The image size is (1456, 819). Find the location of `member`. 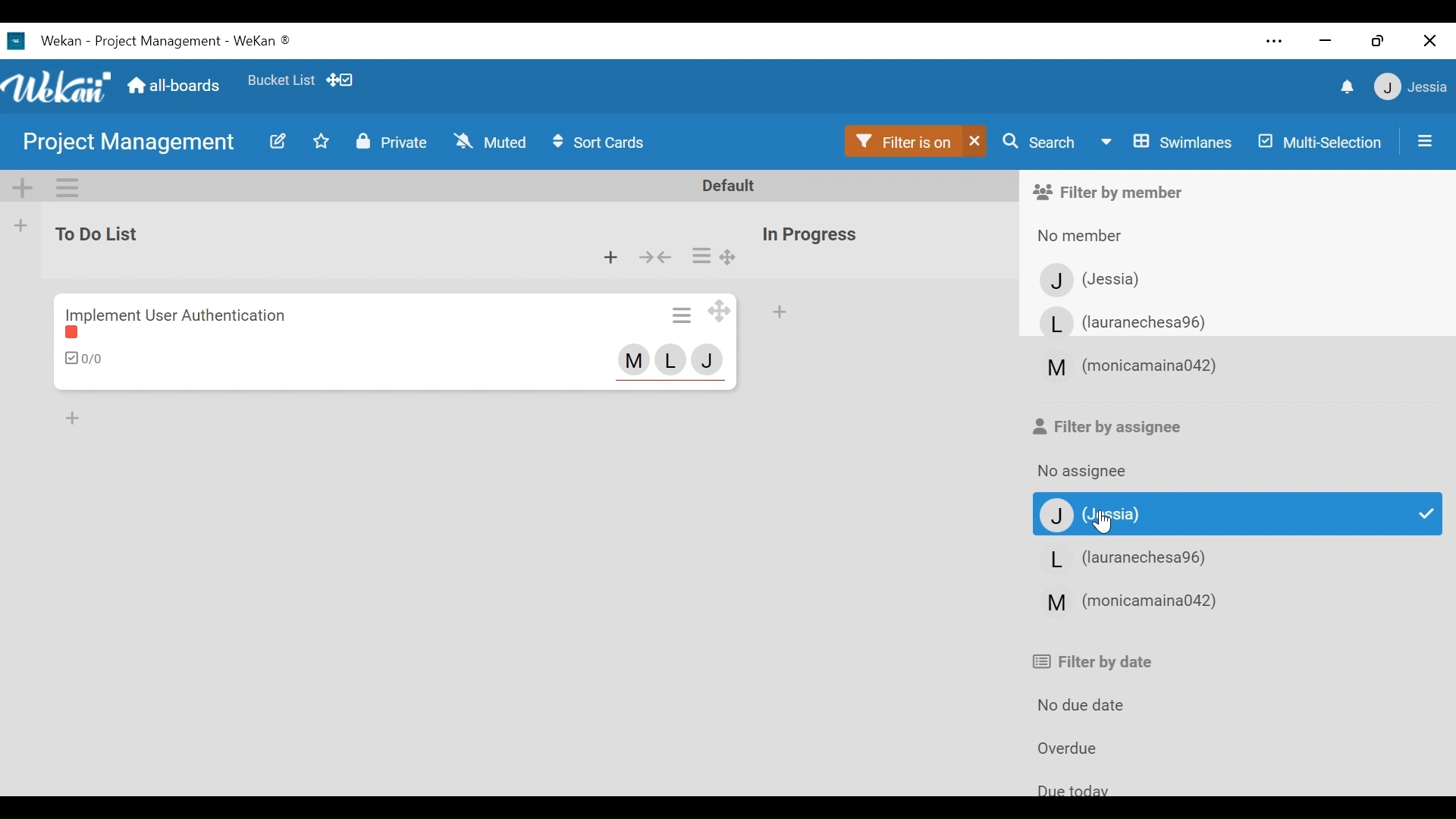

member is located at coordinates (1128, 366).